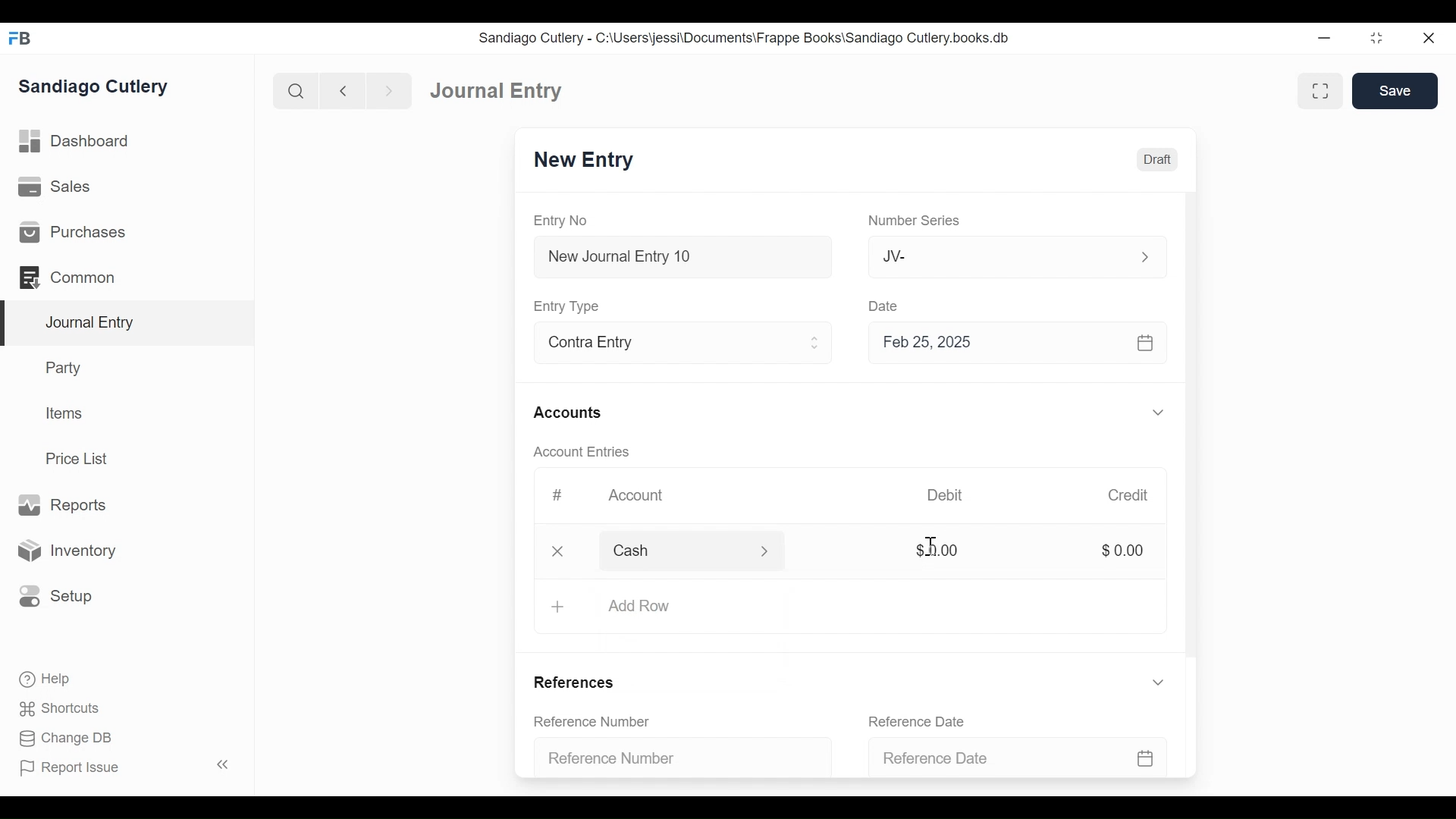 The height and width of the screenshot is (819, 1456). Describe the element at coordinates (73, 233) in the screenshot. I see `Purchases` at that location.